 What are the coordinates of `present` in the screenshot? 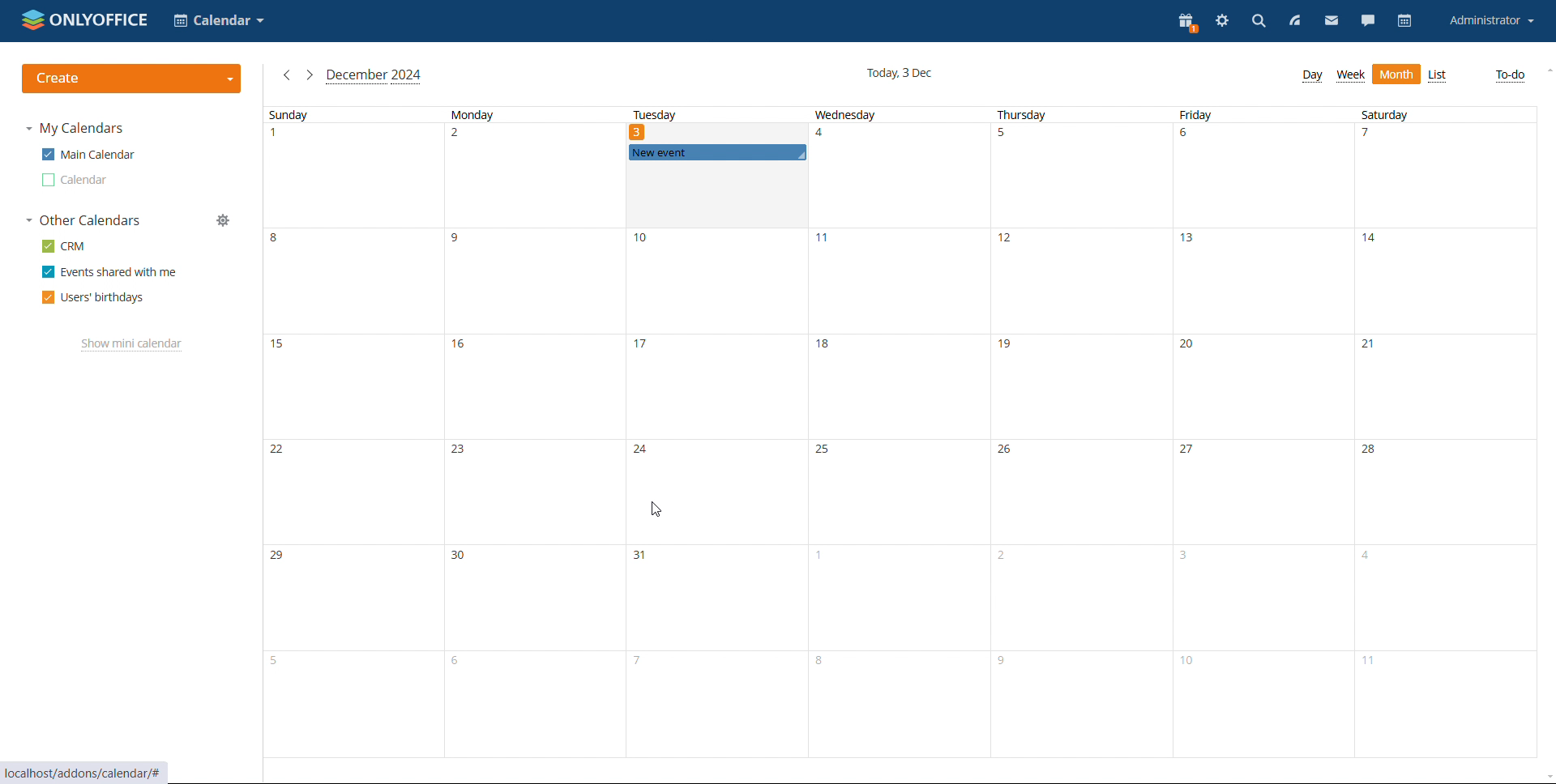 It's located at (1190, 22).